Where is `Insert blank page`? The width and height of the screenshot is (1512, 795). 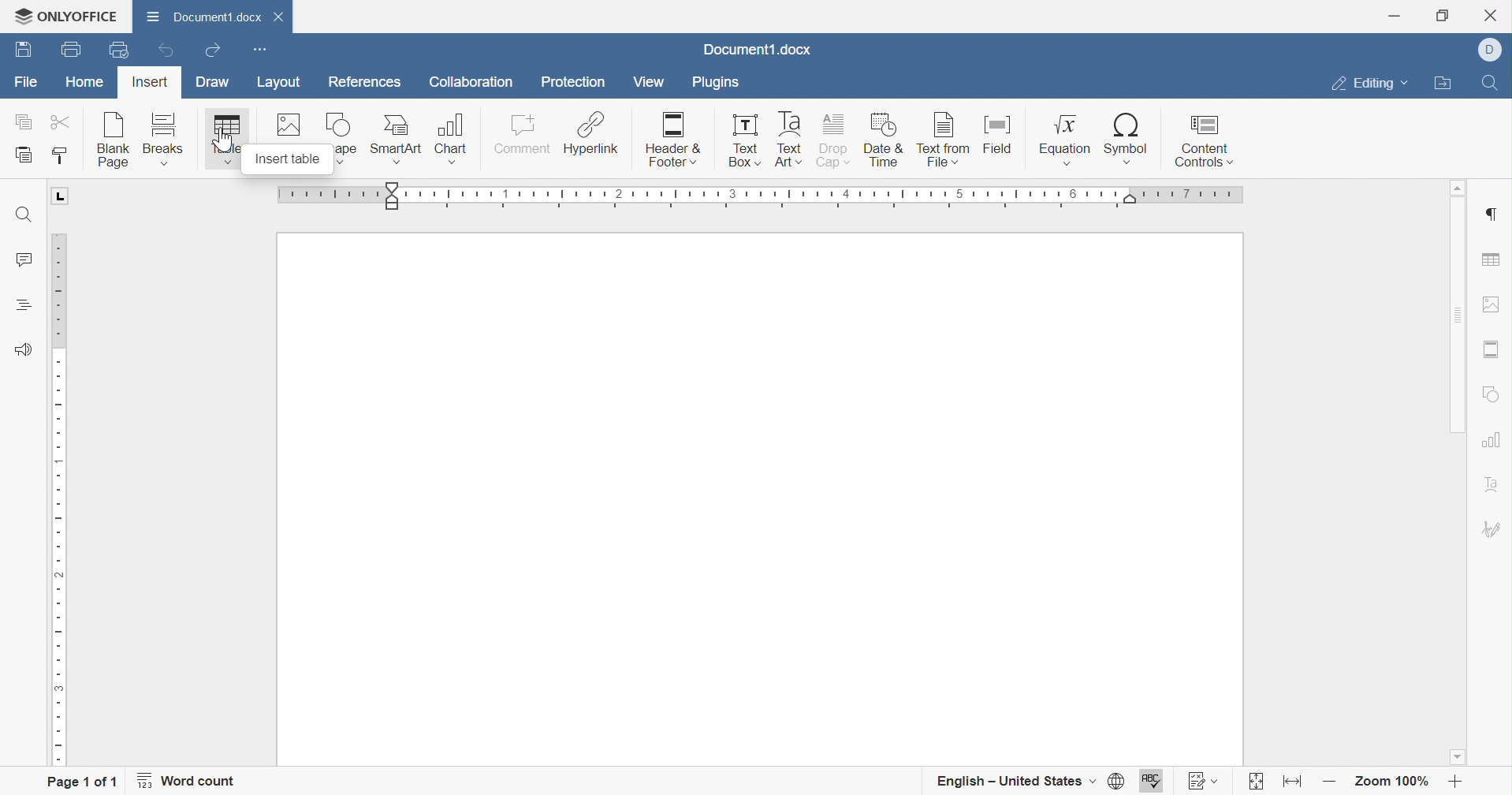 Insert blank page is located at coordinates (117, 140).